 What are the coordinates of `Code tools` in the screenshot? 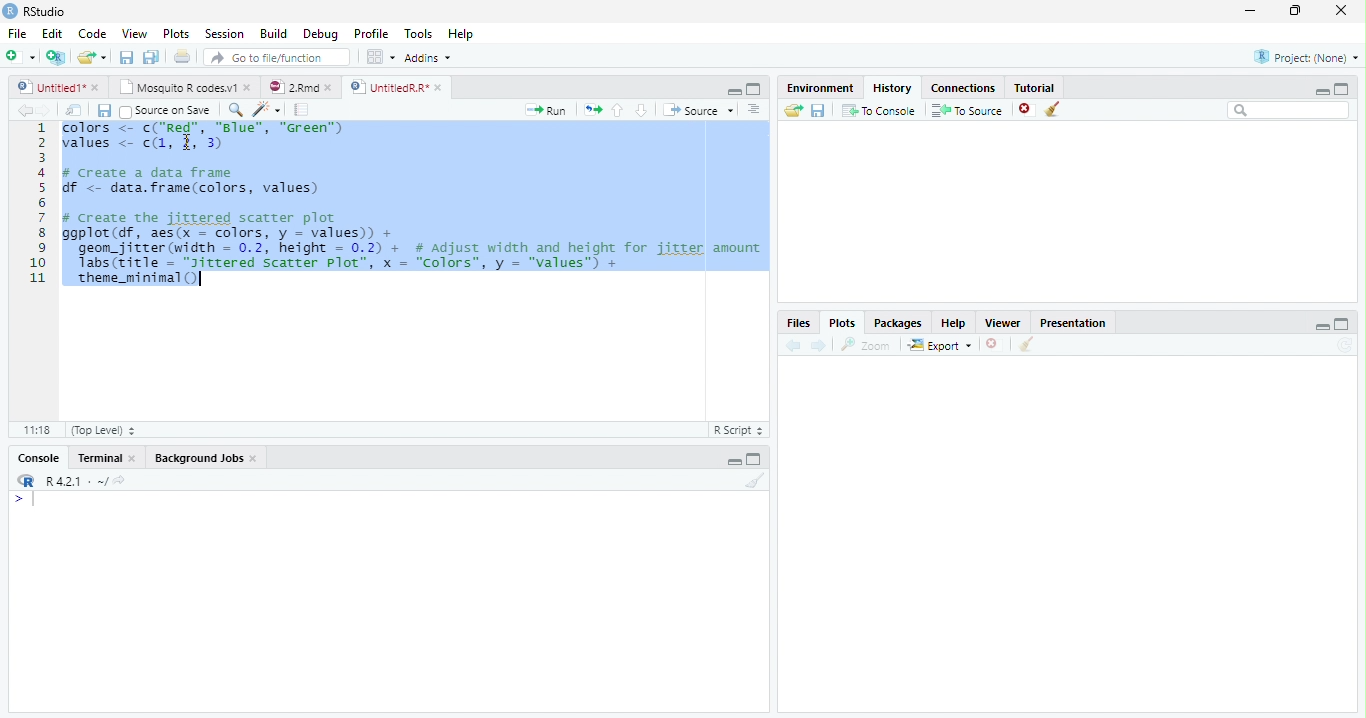 It's located at (268, 110).